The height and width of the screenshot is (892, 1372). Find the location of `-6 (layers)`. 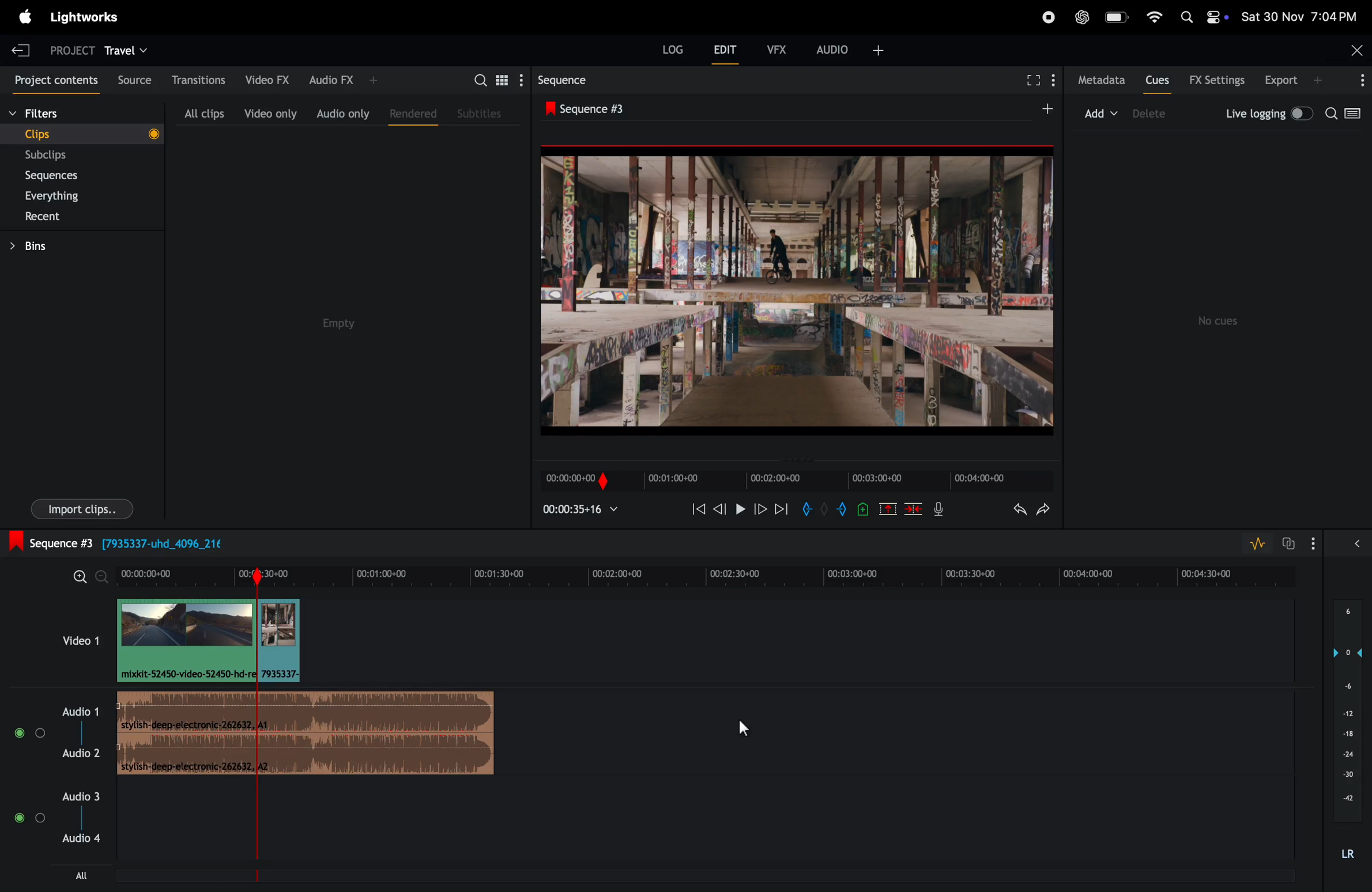

-6 (layers) is located at coordinates (1344, 689).